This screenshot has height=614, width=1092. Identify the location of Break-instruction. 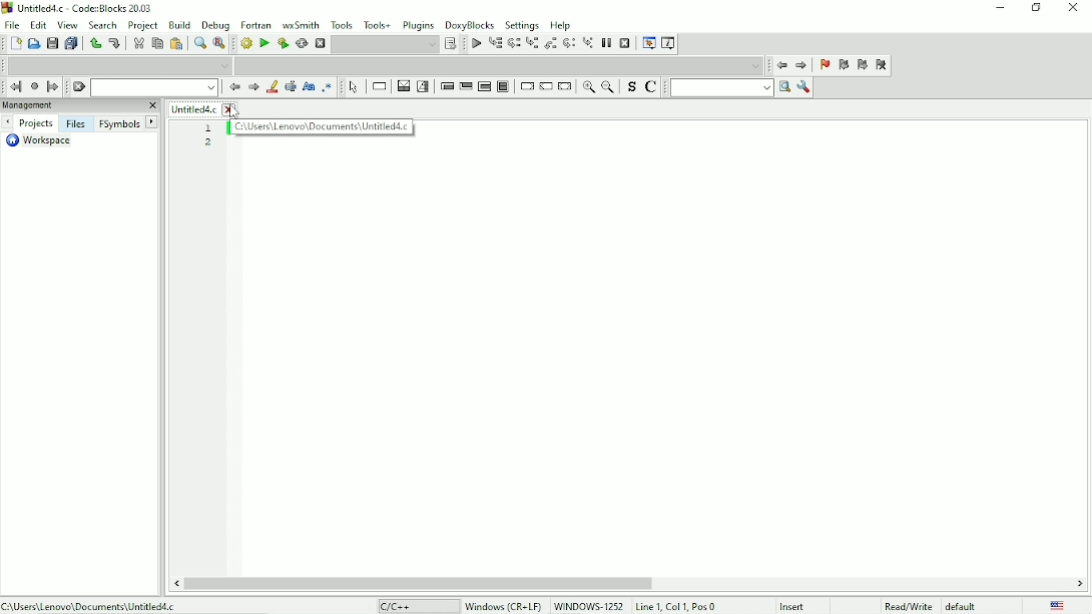
(527, 86).